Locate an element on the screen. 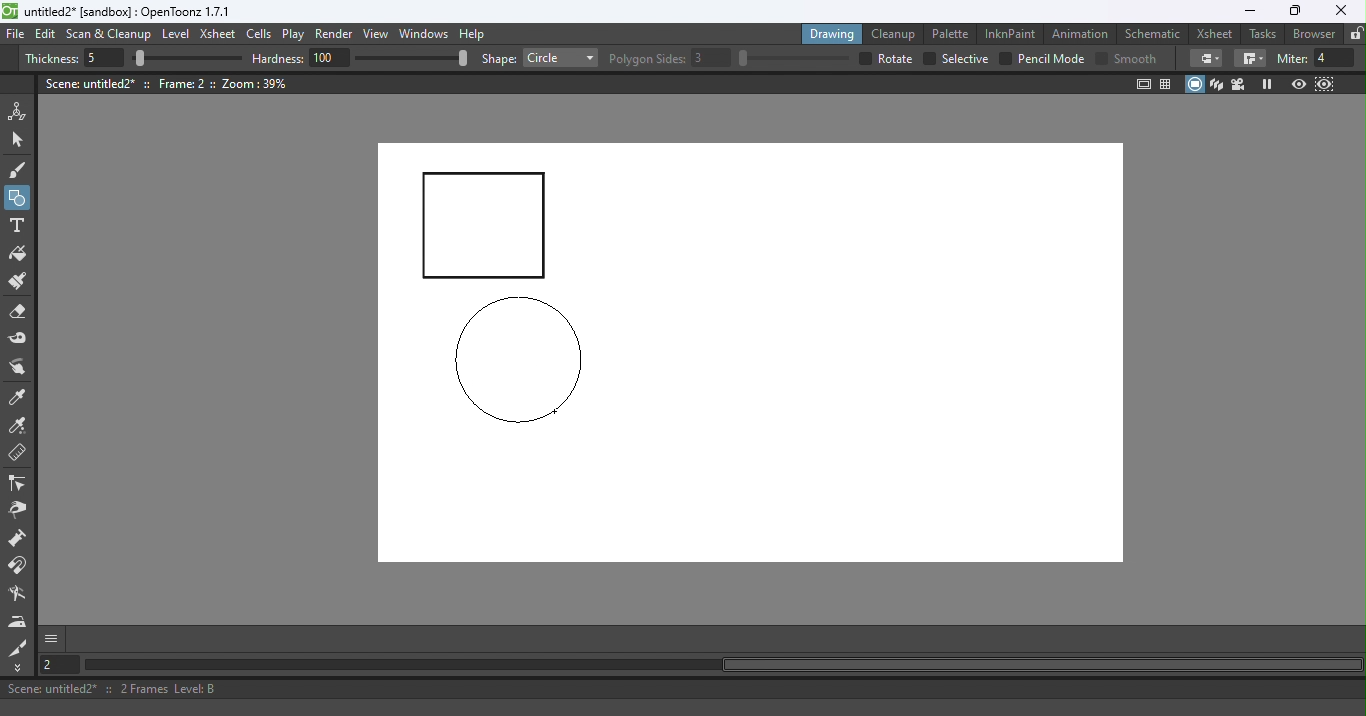 The height and width of the screenshot is (716, 1366). Help is located at coordinates (475, 33).